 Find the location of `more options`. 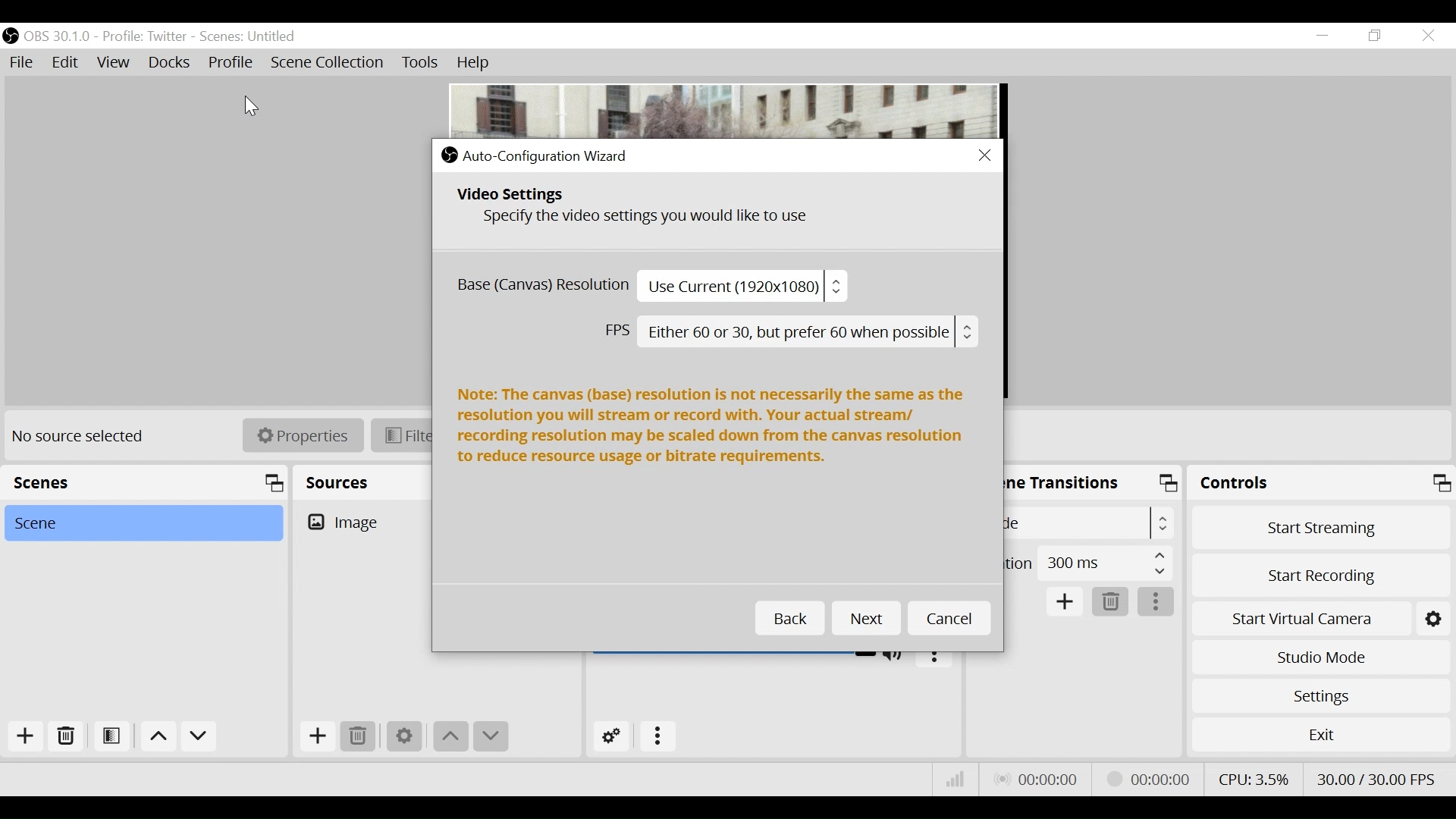

more options is located at coordinates (934, 655).